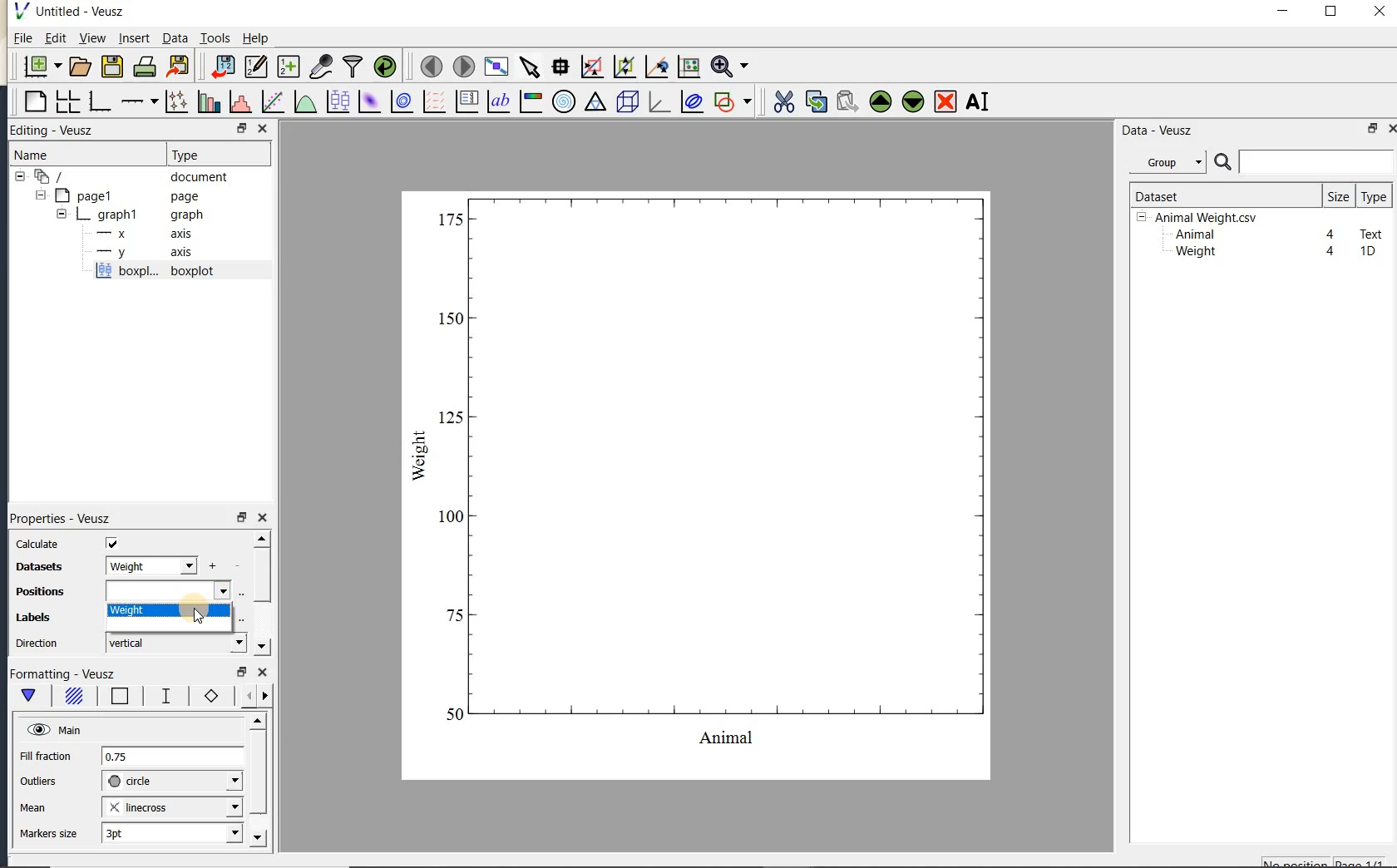  I want to click on save the document, so click(111, 67).